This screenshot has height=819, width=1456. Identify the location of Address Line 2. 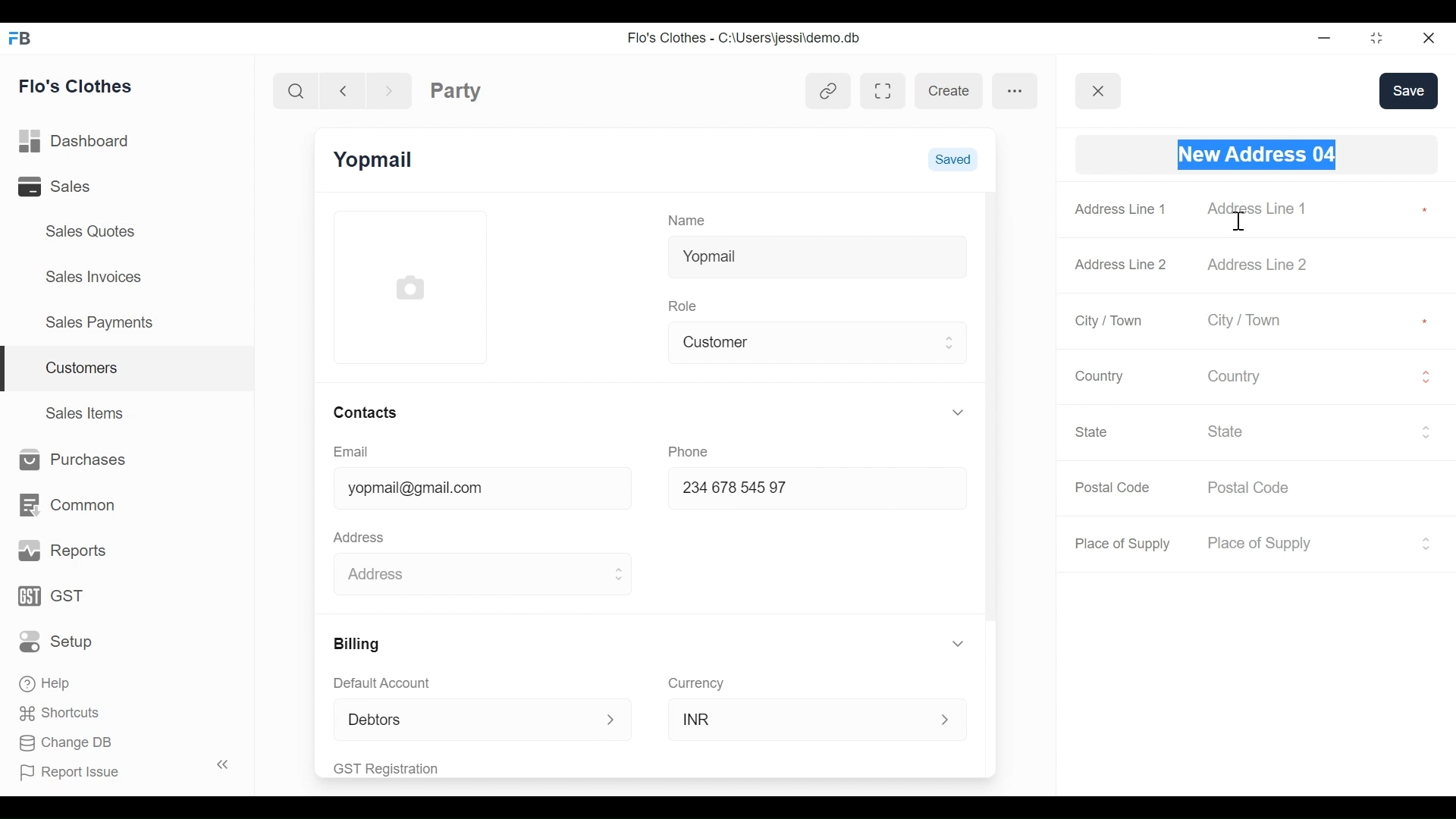
(1265, 264).